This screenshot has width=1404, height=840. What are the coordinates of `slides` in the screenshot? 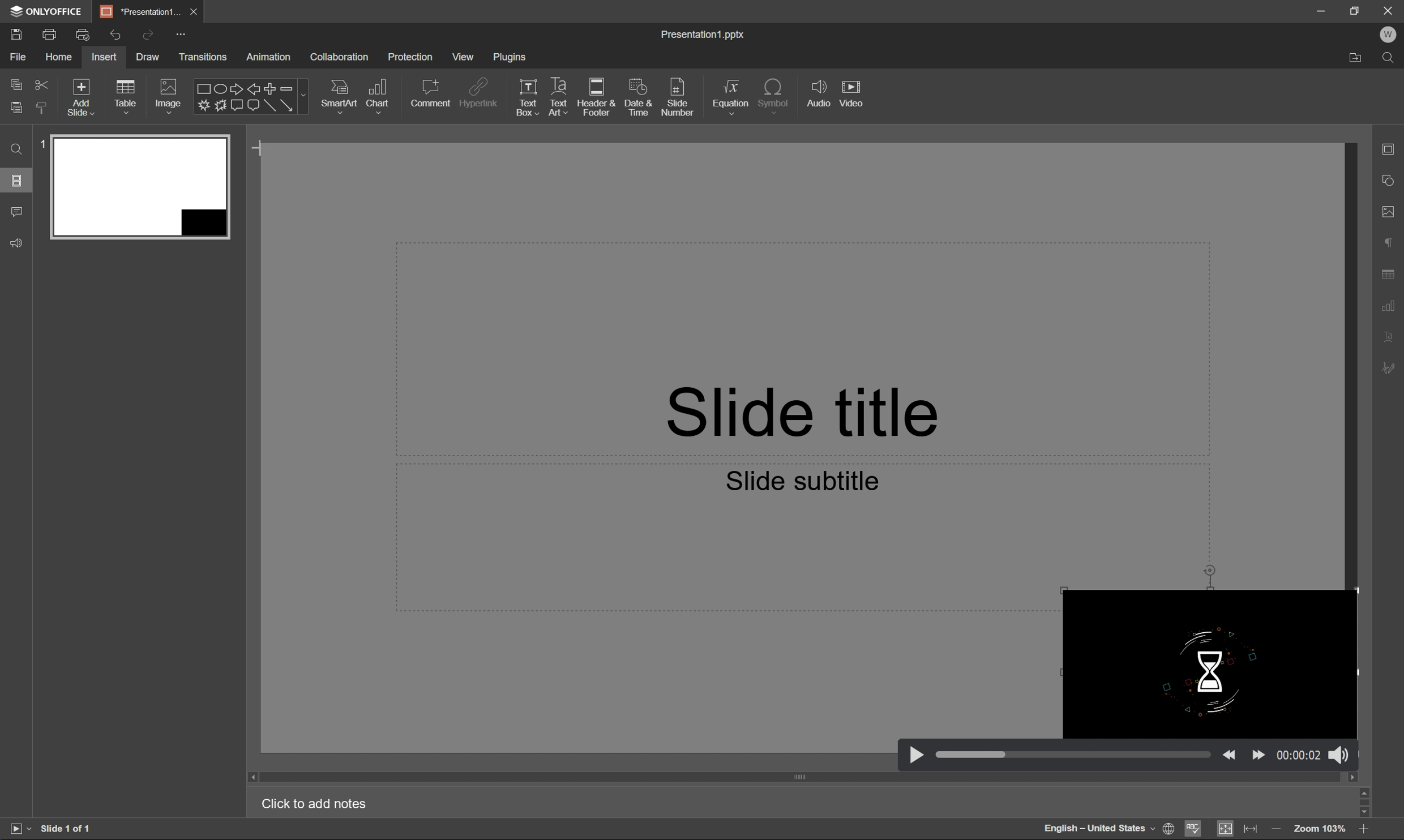 It's located at (17, 182).